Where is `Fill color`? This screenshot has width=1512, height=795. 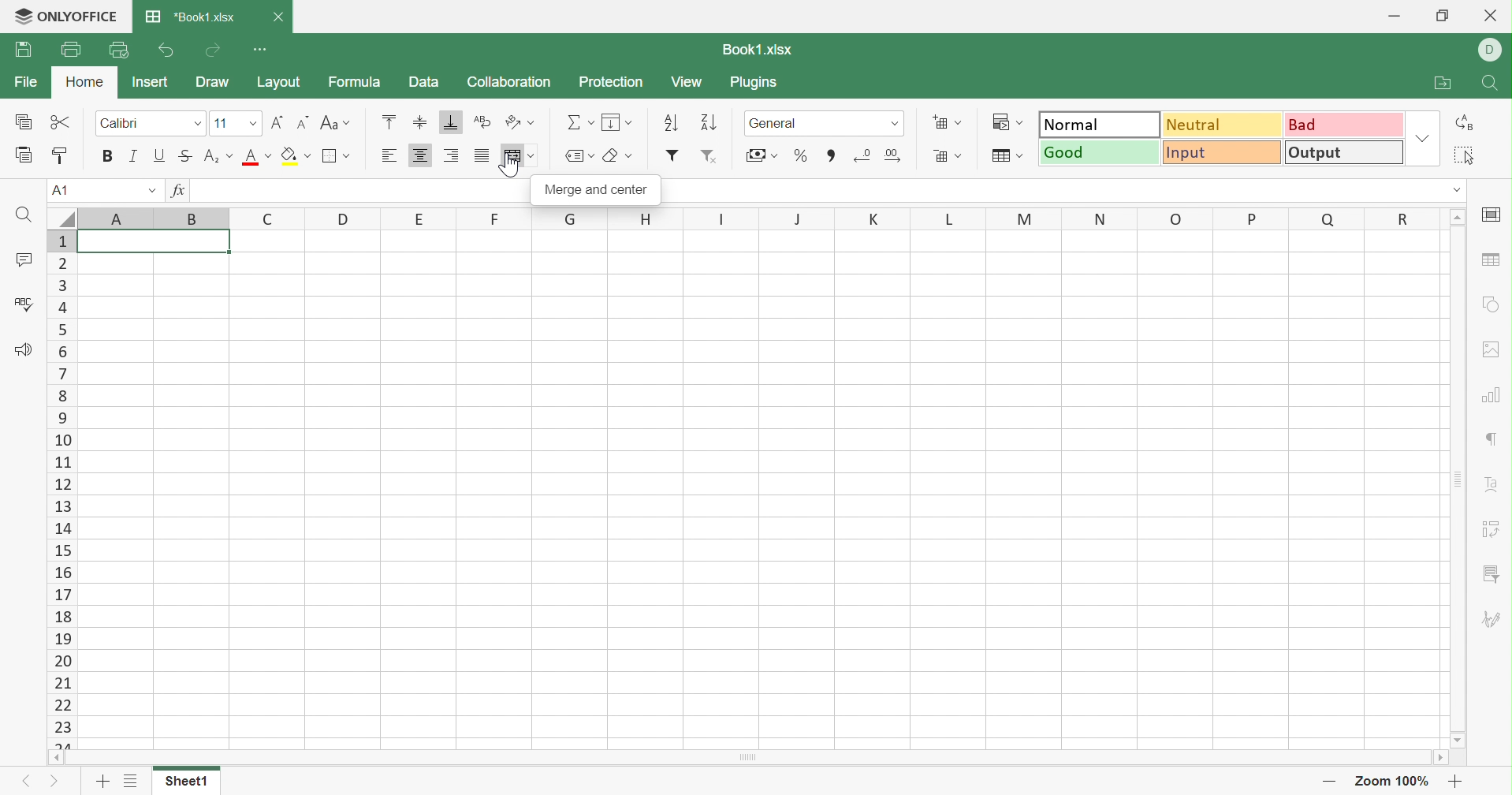 Fill color is located at coordinates (293, 155).